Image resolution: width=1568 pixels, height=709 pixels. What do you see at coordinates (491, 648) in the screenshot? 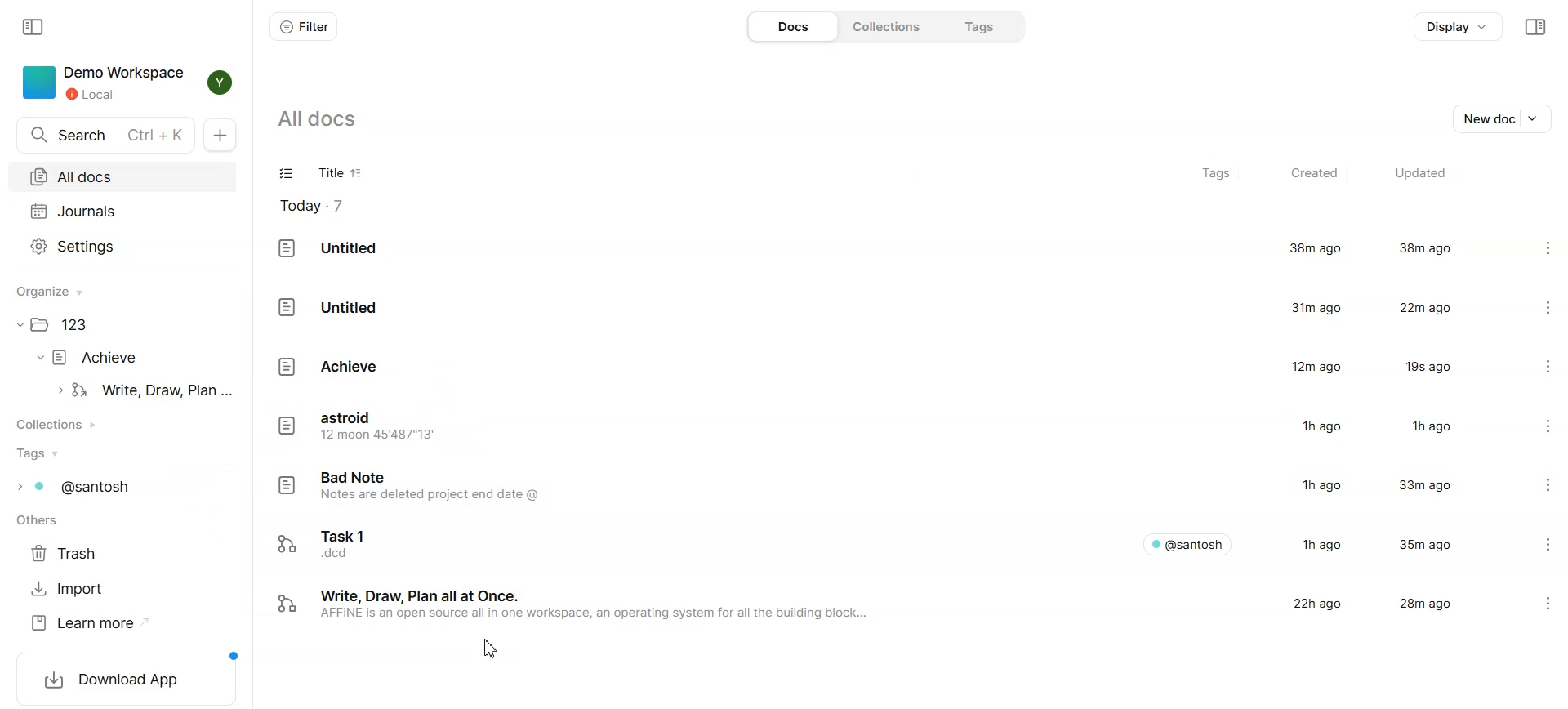
I see `Cursor` at bounding box center [491, 648].